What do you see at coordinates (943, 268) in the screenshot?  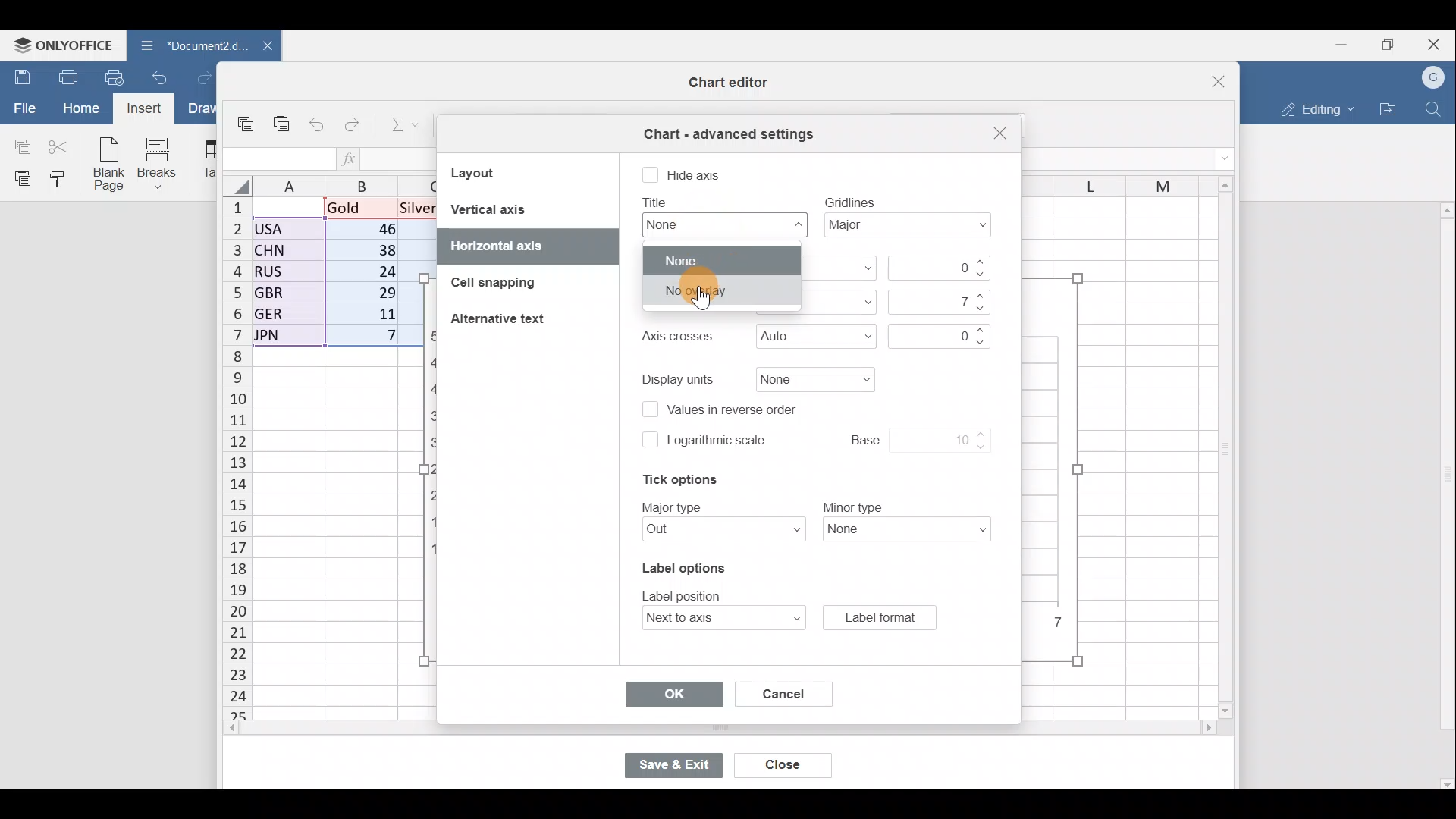 I see `Minimum value` at bounding box center [943, 268].